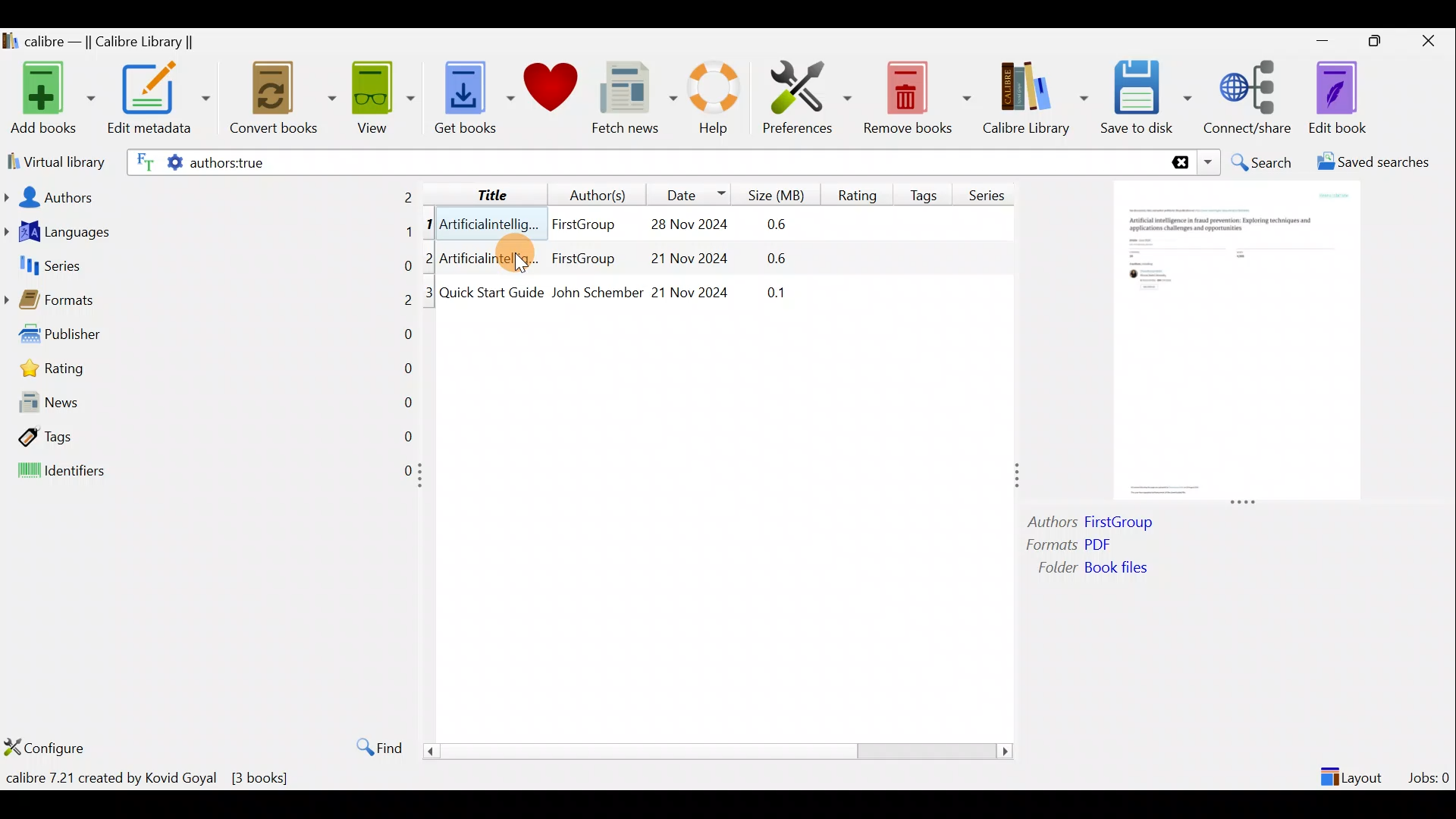  What do you see at coordinates (807, 96) in the screenshot?
I see `Preferences` at bounding box center [807, 96].